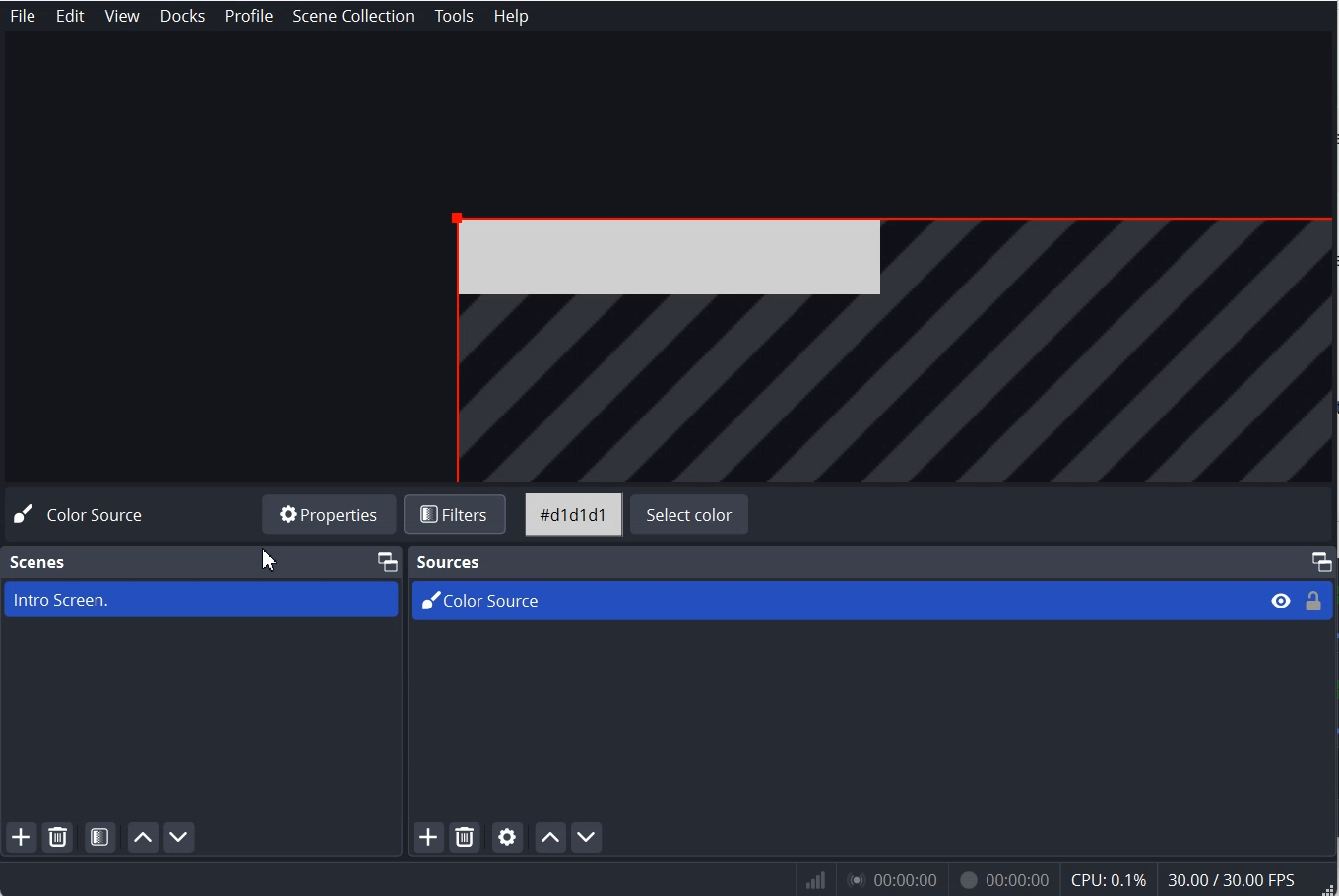  Describe the element at coordinates (1235, 881) in the screenshot. I see `30.00/ 30` at that location.